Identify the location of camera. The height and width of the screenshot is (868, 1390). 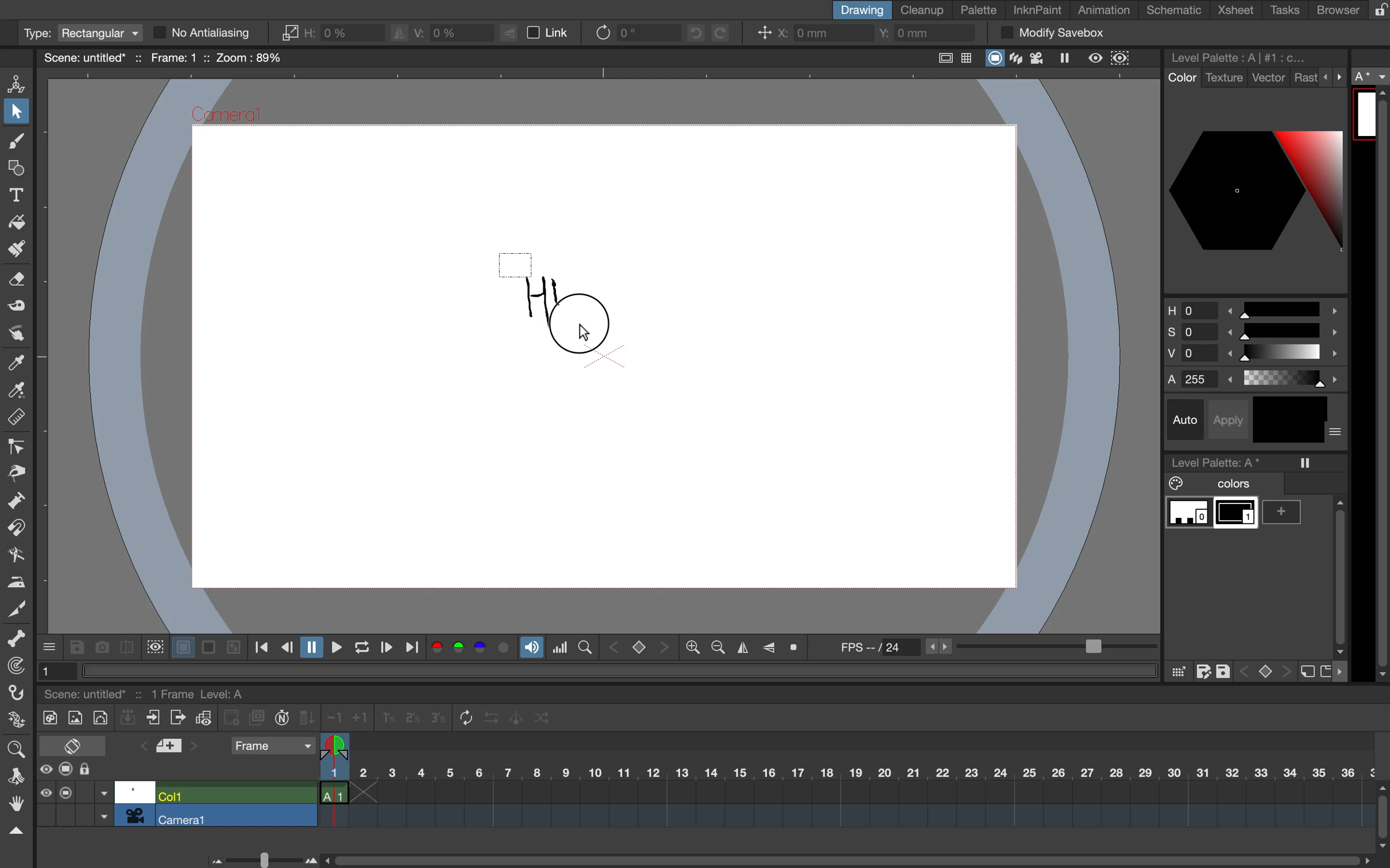
(135, 815).